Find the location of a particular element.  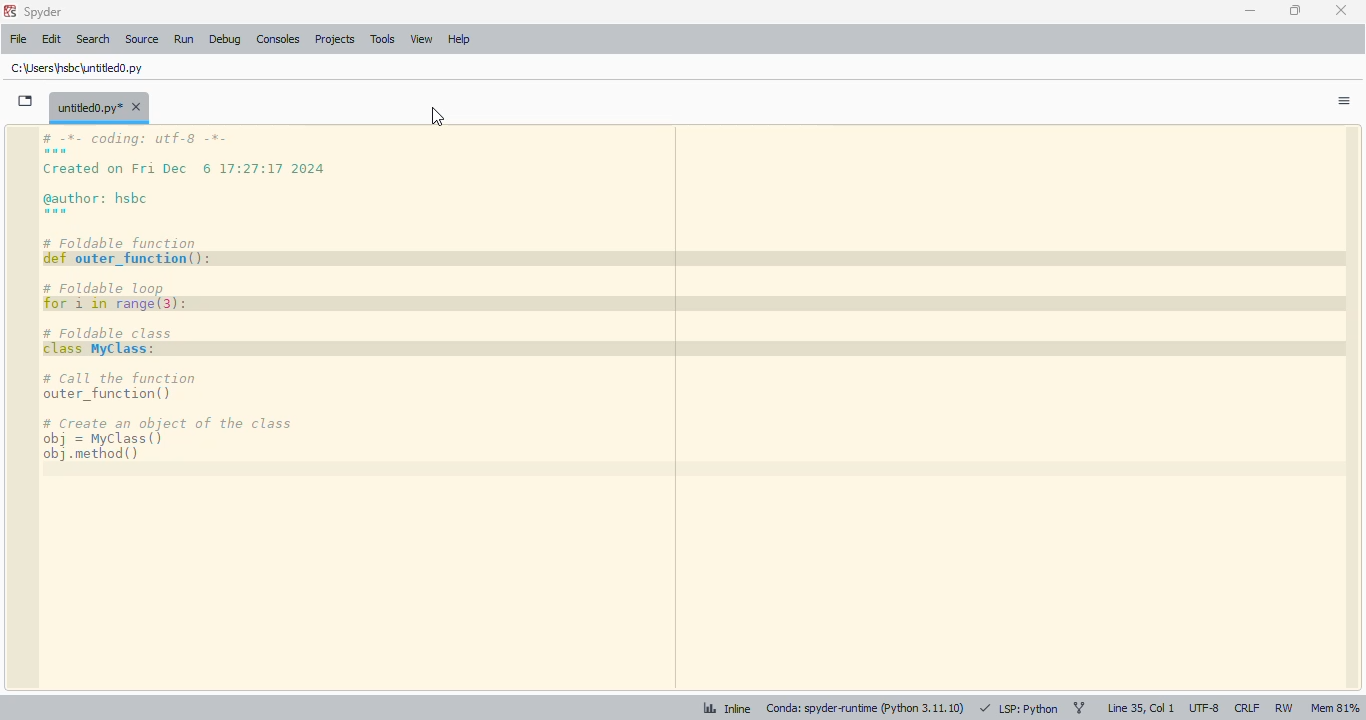

help is located at coordinates (458, 40).